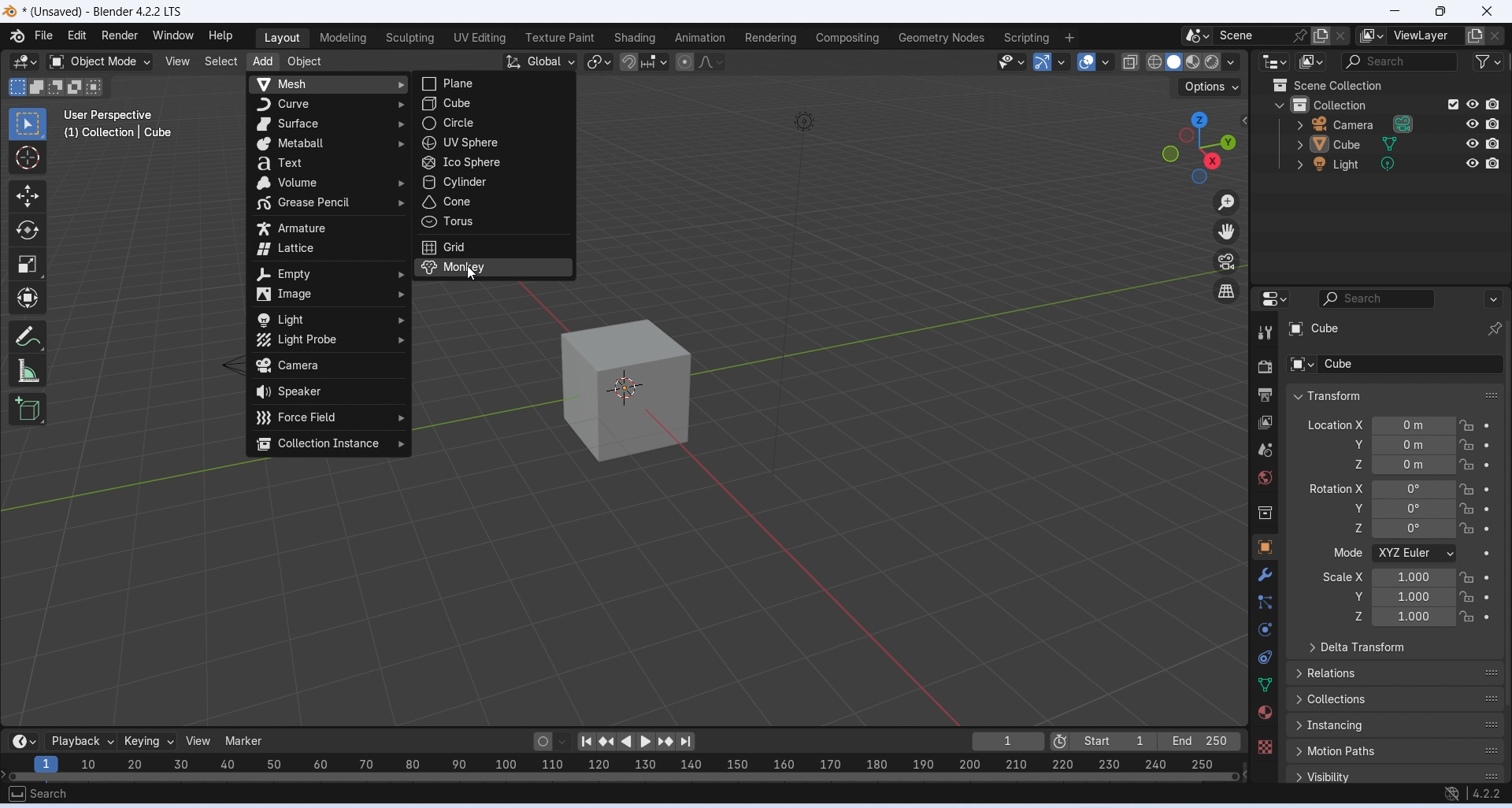  Describe the element at coordinates (1232, 62) in the screenshot. I see `shading` at that location.